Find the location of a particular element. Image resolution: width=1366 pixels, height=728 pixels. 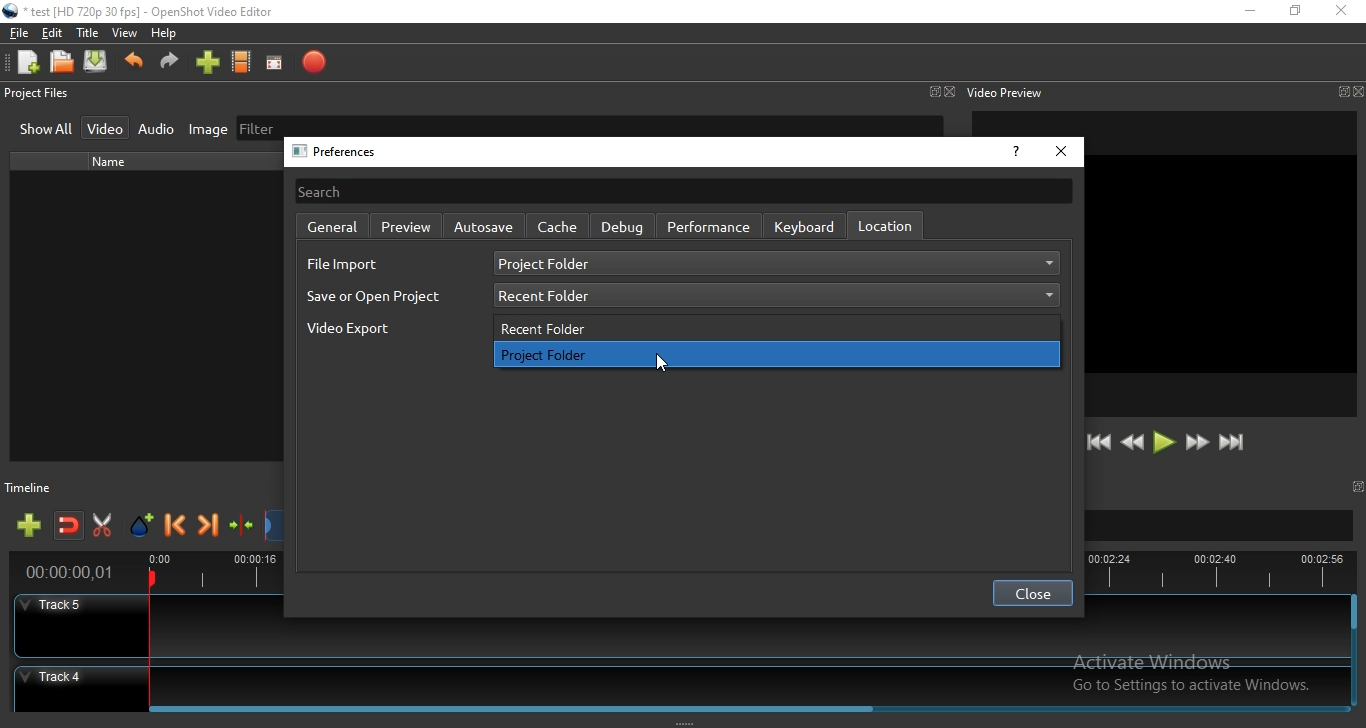

Rewind  is located at coordinates (1132, 443).